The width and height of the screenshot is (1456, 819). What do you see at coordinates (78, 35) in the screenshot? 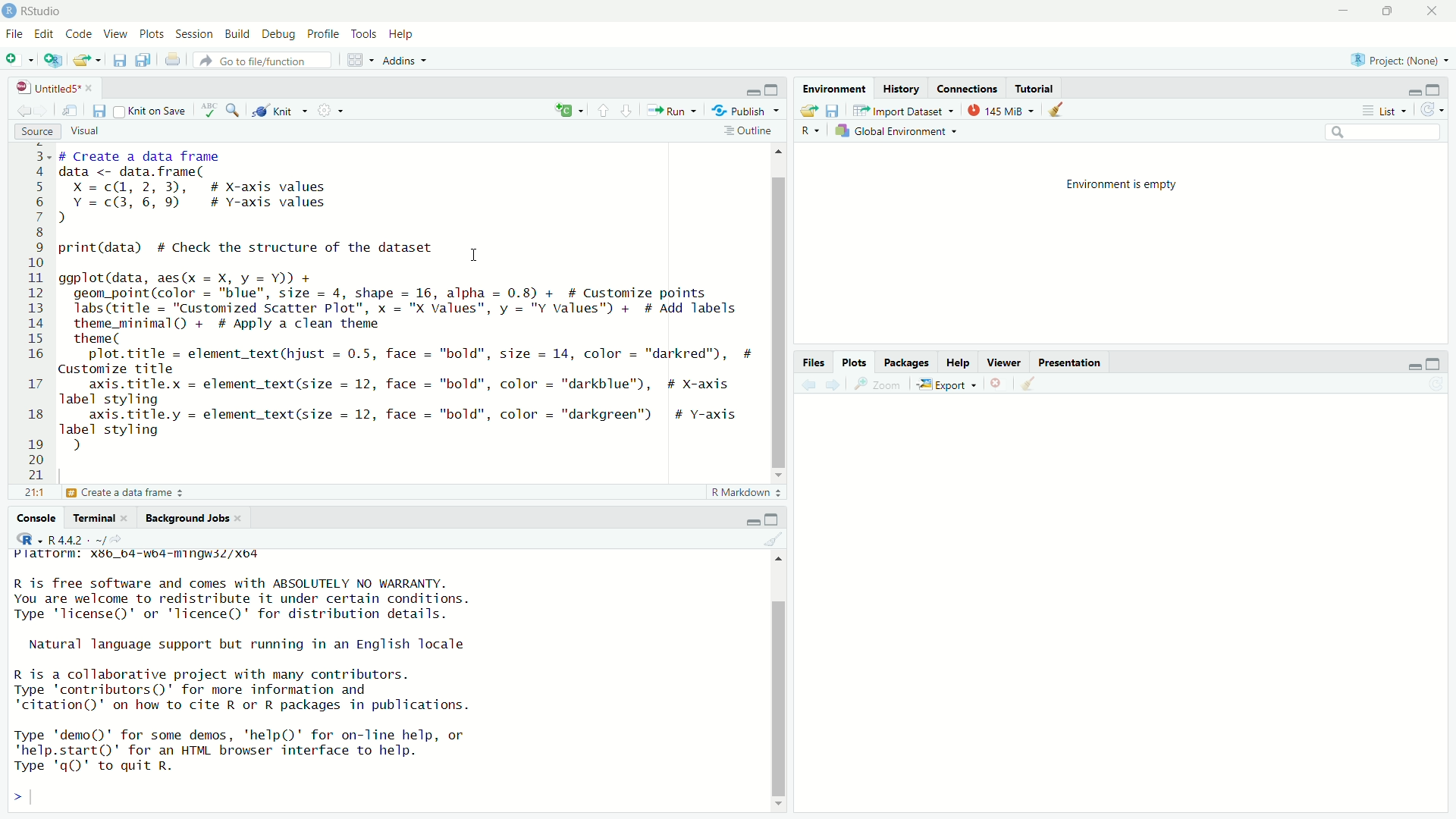
I see `Code` at bounding box center [78, 35].